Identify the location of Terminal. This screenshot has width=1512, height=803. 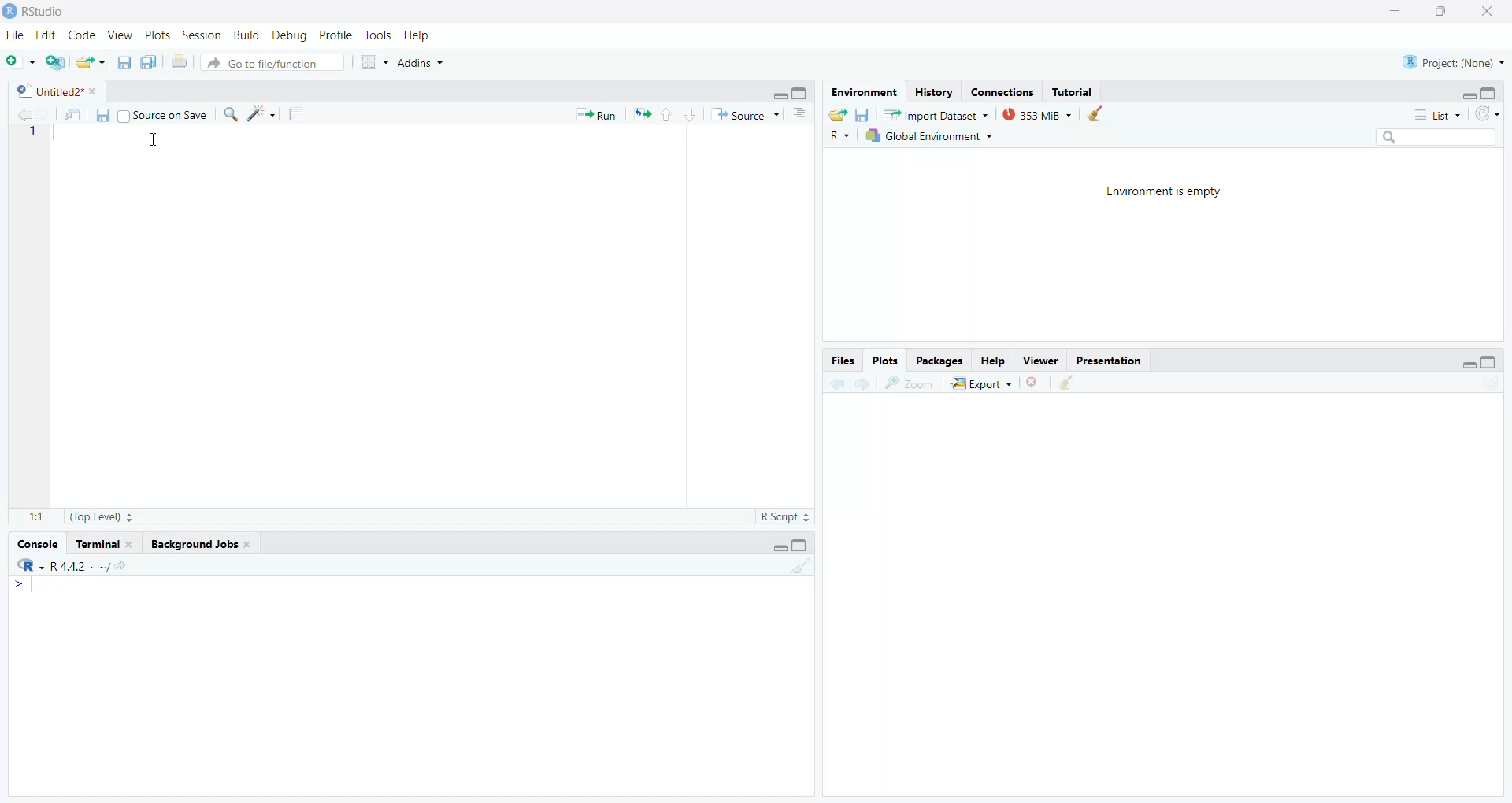
(103, 546).